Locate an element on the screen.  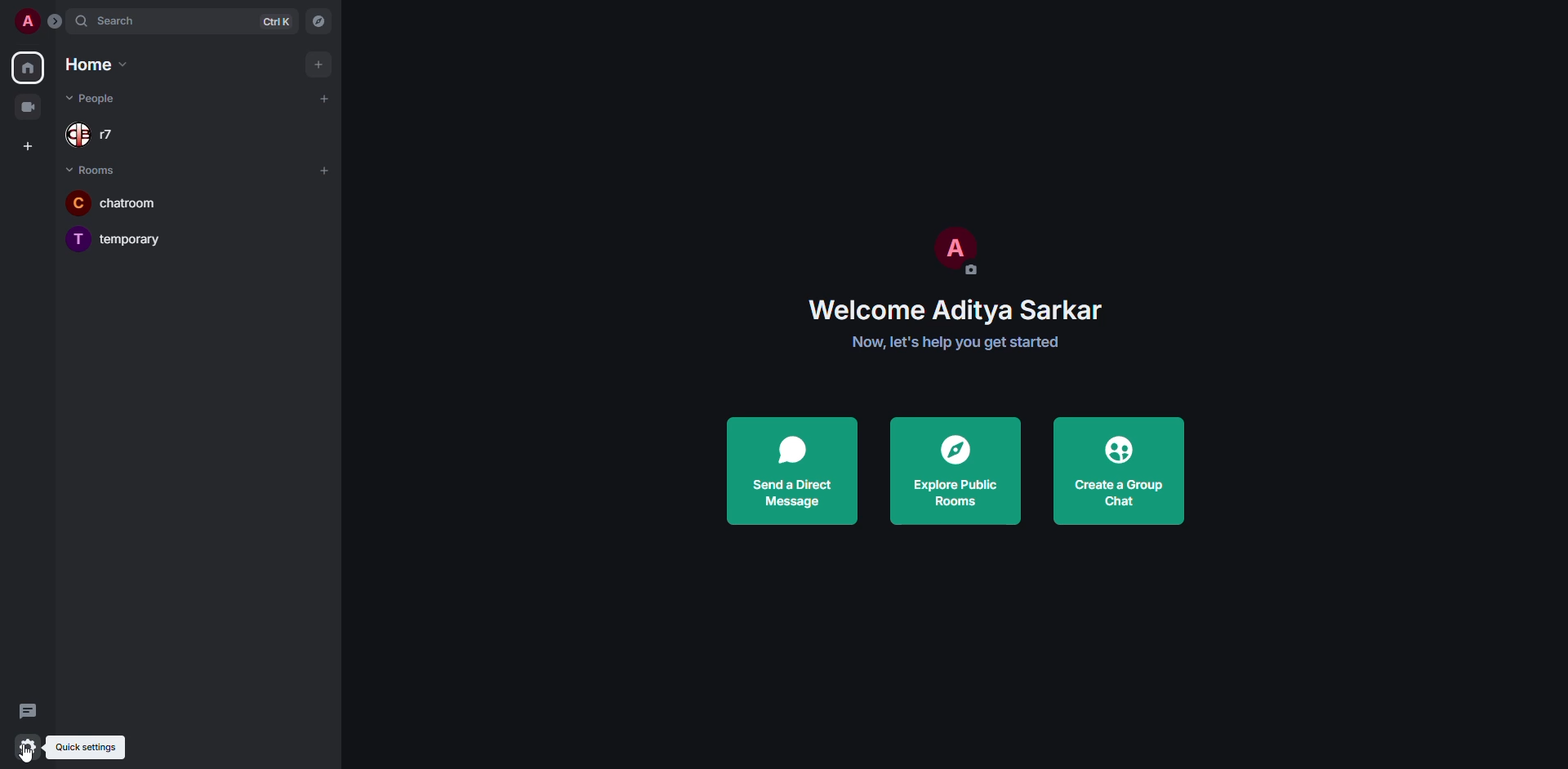
chatroom is located at coordinates (125, 202).